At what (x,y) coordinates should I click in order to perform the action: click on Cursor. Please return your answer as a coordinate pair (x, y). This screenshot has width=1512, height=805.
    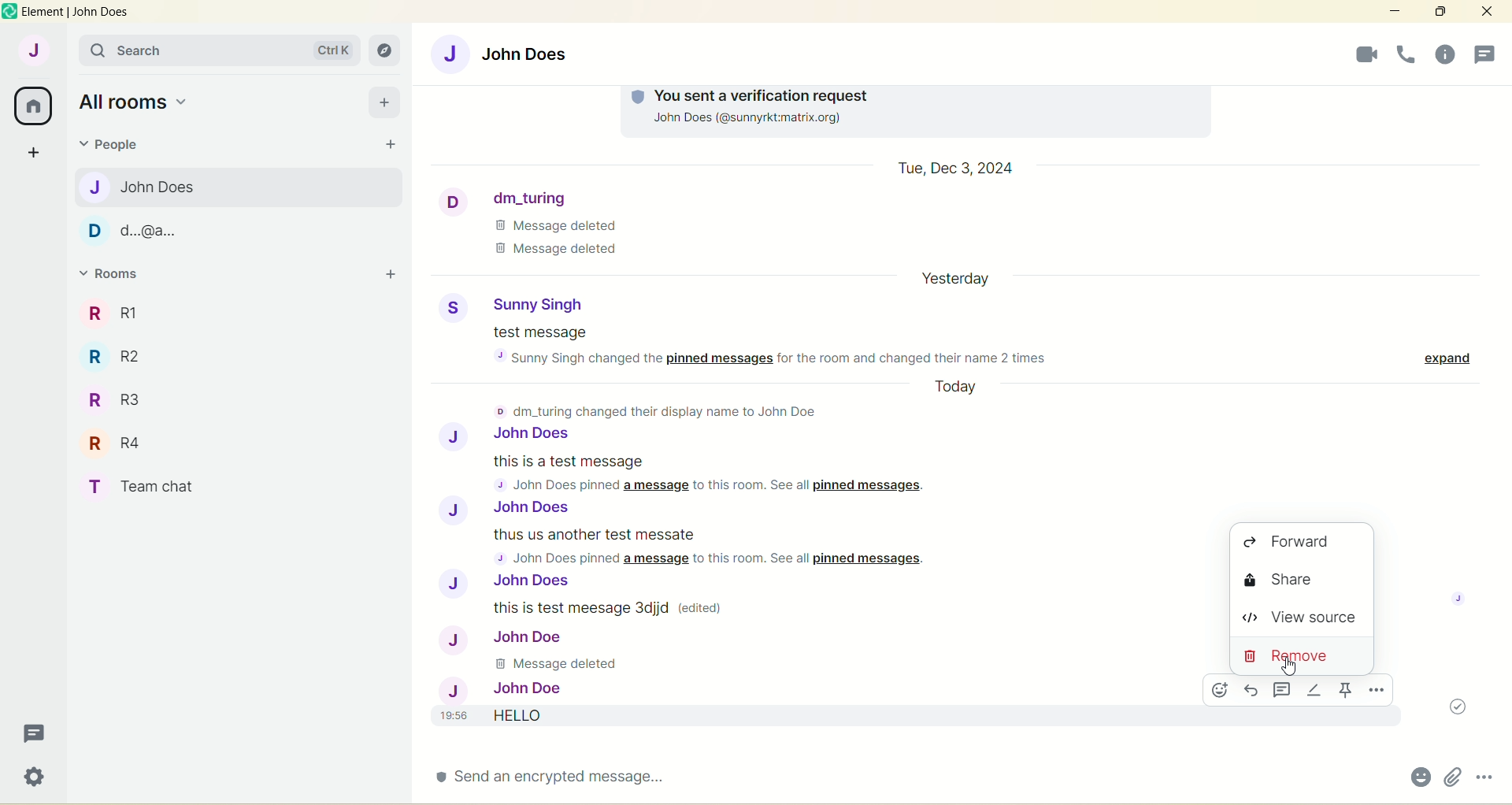
    Looking at the image, I should click on (1290, 669).